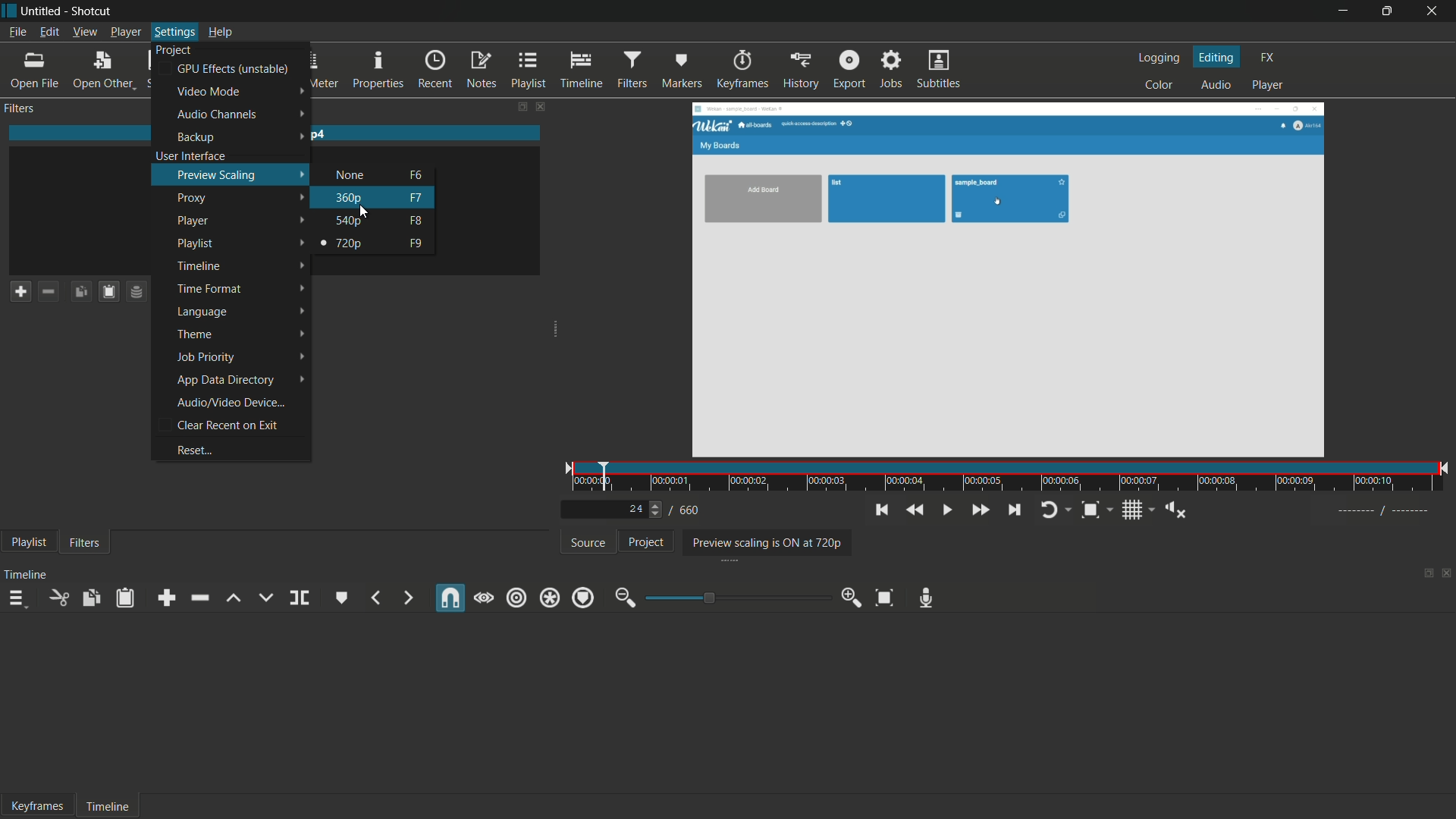 Image resolution: width=1456 pixels, height=819 pixels. Describe the element at coordinates (632, 69) in the screenshot. I see `filters` at that location.